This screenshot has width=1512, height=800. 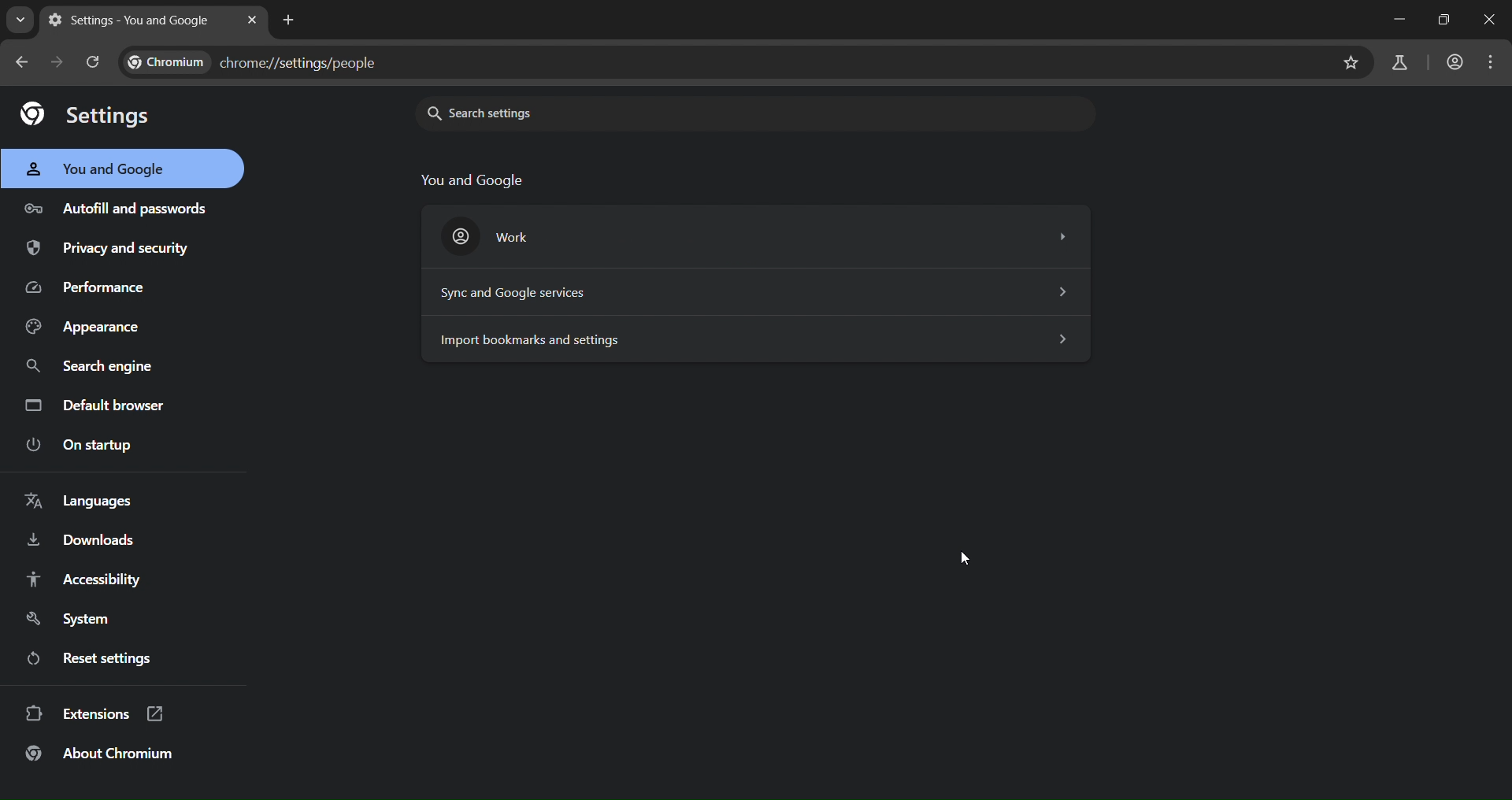 I want to click on rivacy and security, so click(x=119, y=250).